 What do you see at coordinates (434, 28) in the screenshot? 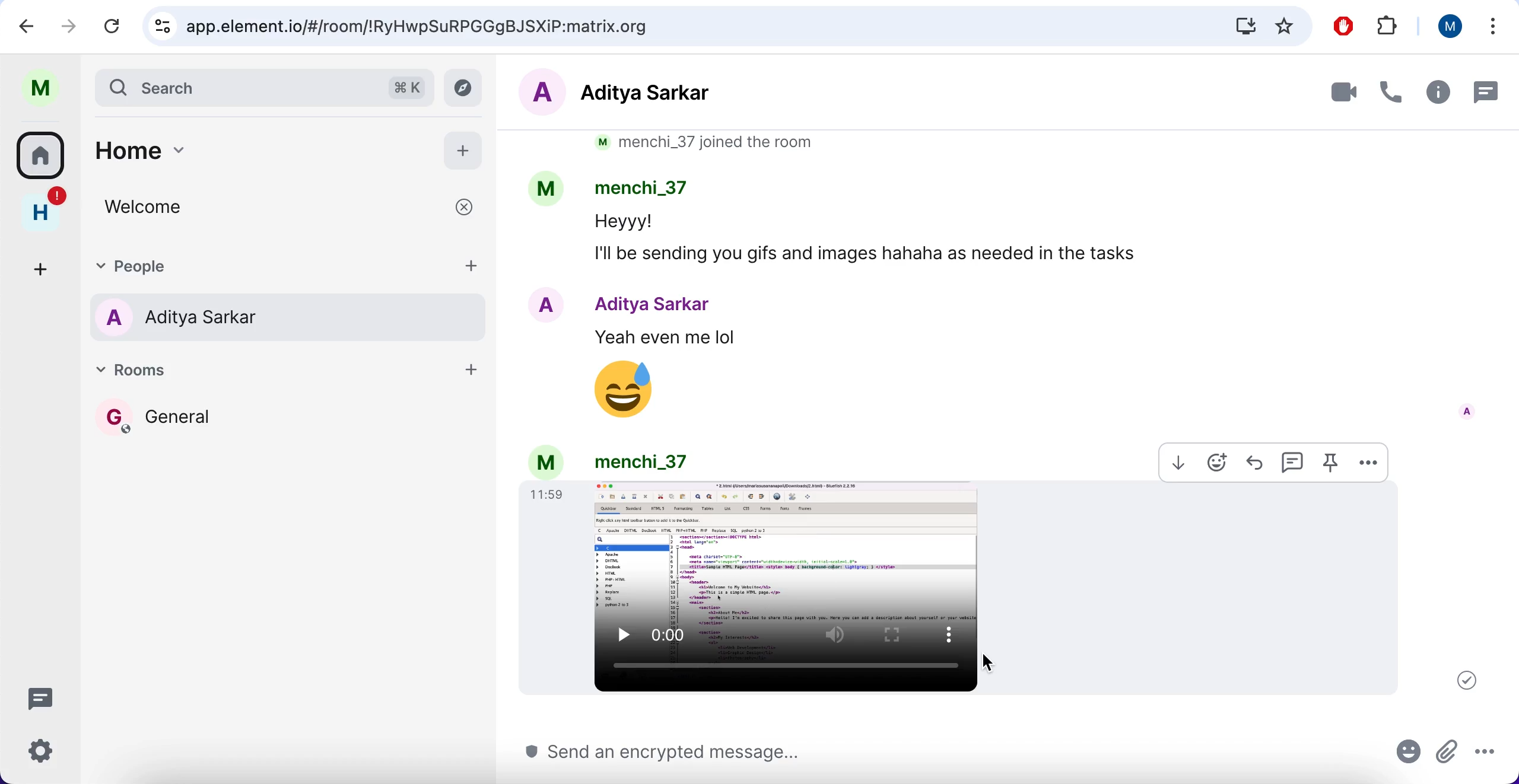
I see `app.element.io/#/room/!RyHwpSuRPGGgBJSXiP:matrix.org` at bounding box center [434, 28].